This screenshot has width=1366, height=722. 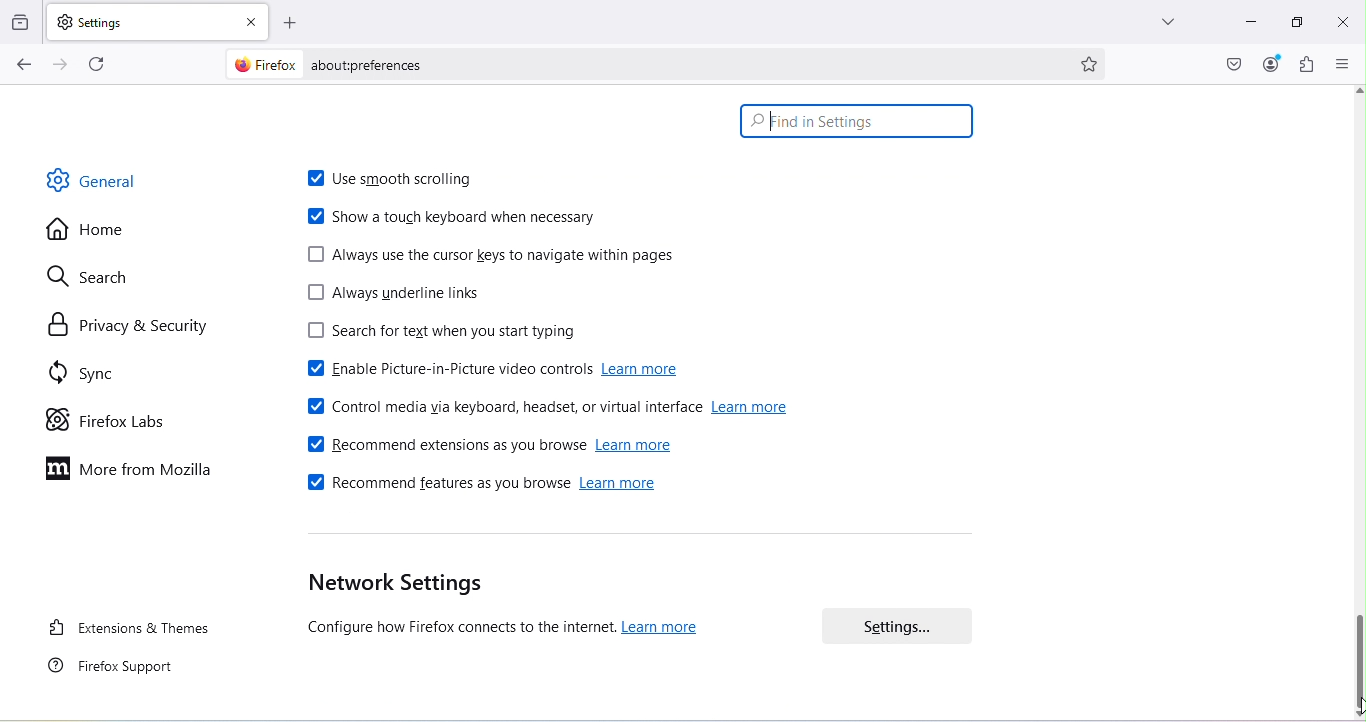 I want to click on firefox logo, so click(x=265, y=64).